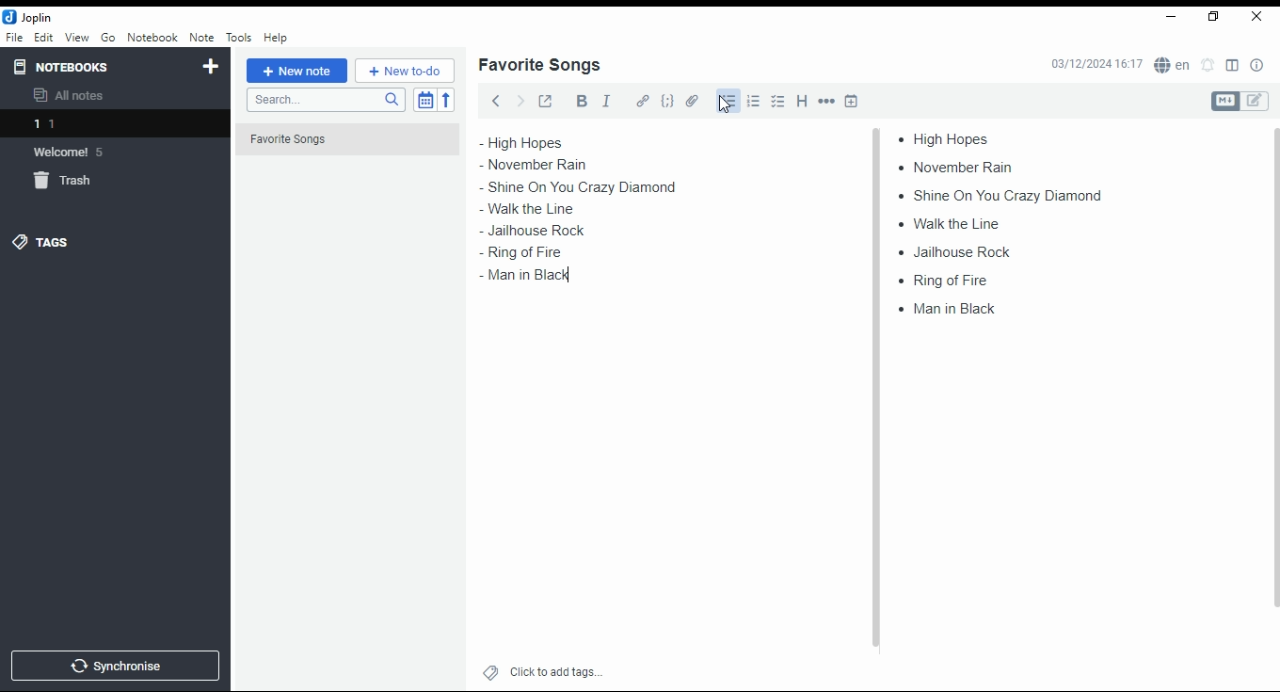 The width and height of the screenshot is (1280, 692). What do you see at coordinates (1168, 18) in the screenshot?
I see `minimize` at bounding box center [1168, 18].